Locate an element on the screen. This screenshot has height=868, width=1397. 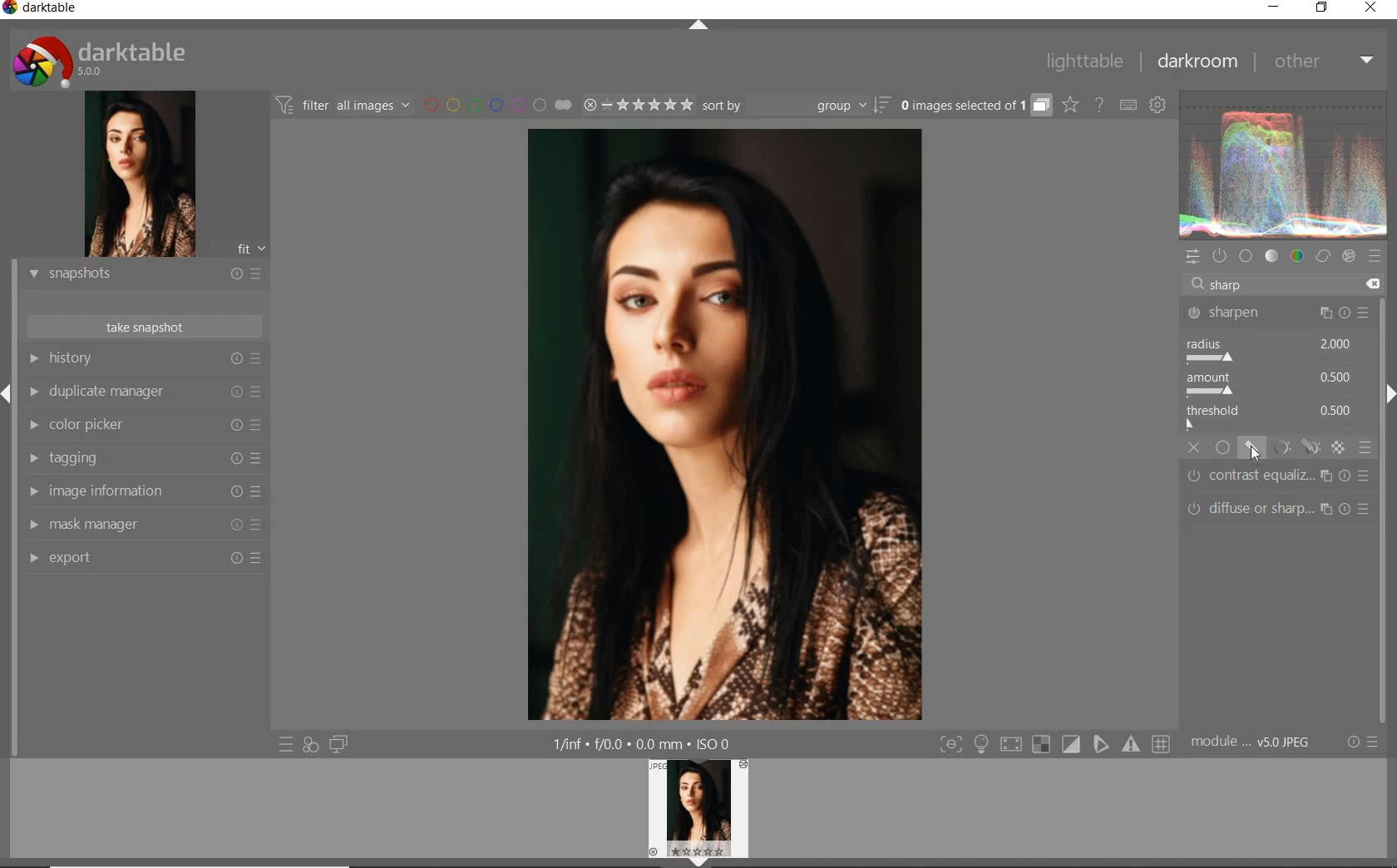
show global preferences is located at coordinates (1157, 101).